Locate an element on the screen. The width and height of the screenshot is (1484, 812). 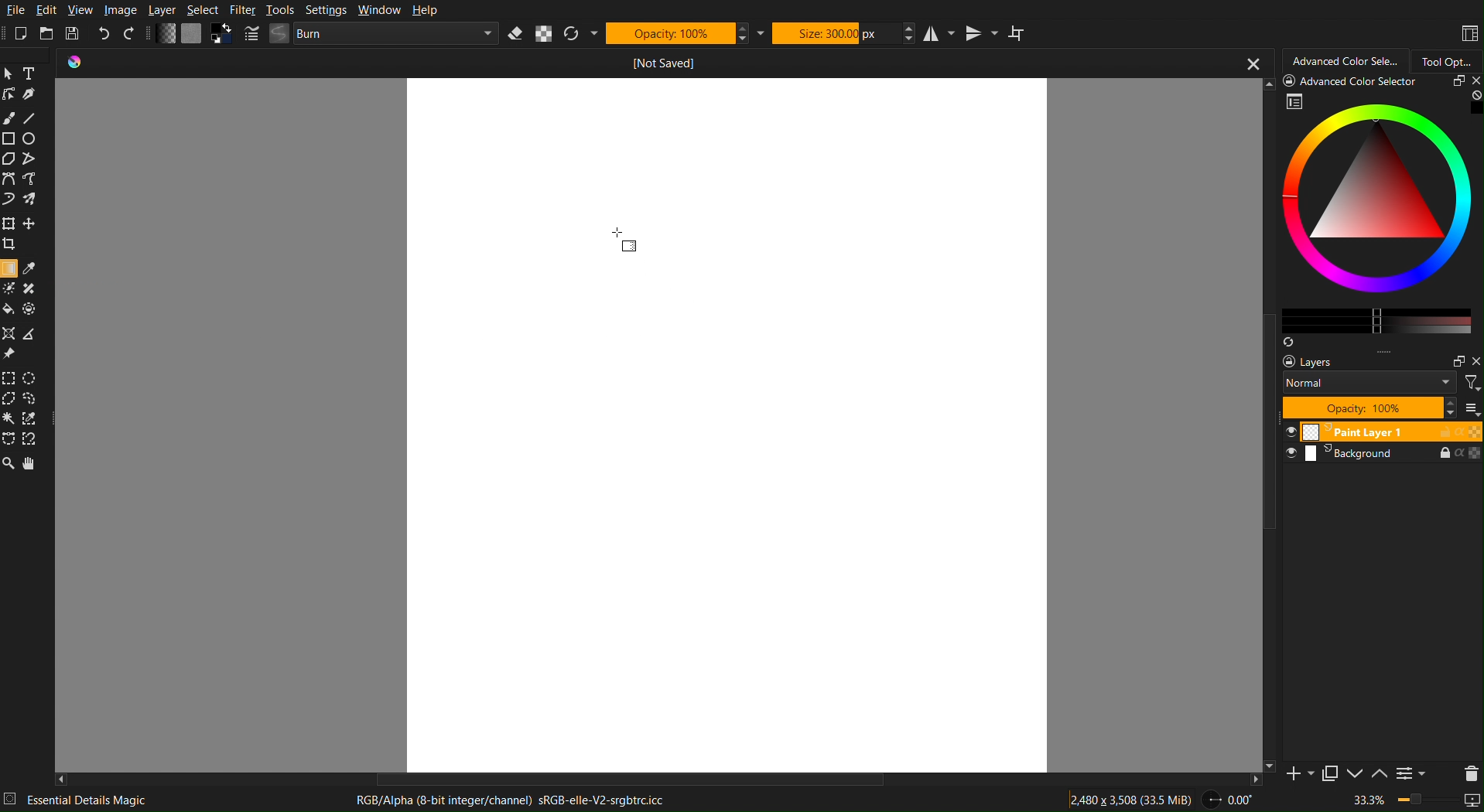
Text is located at coordinates (33, 73).